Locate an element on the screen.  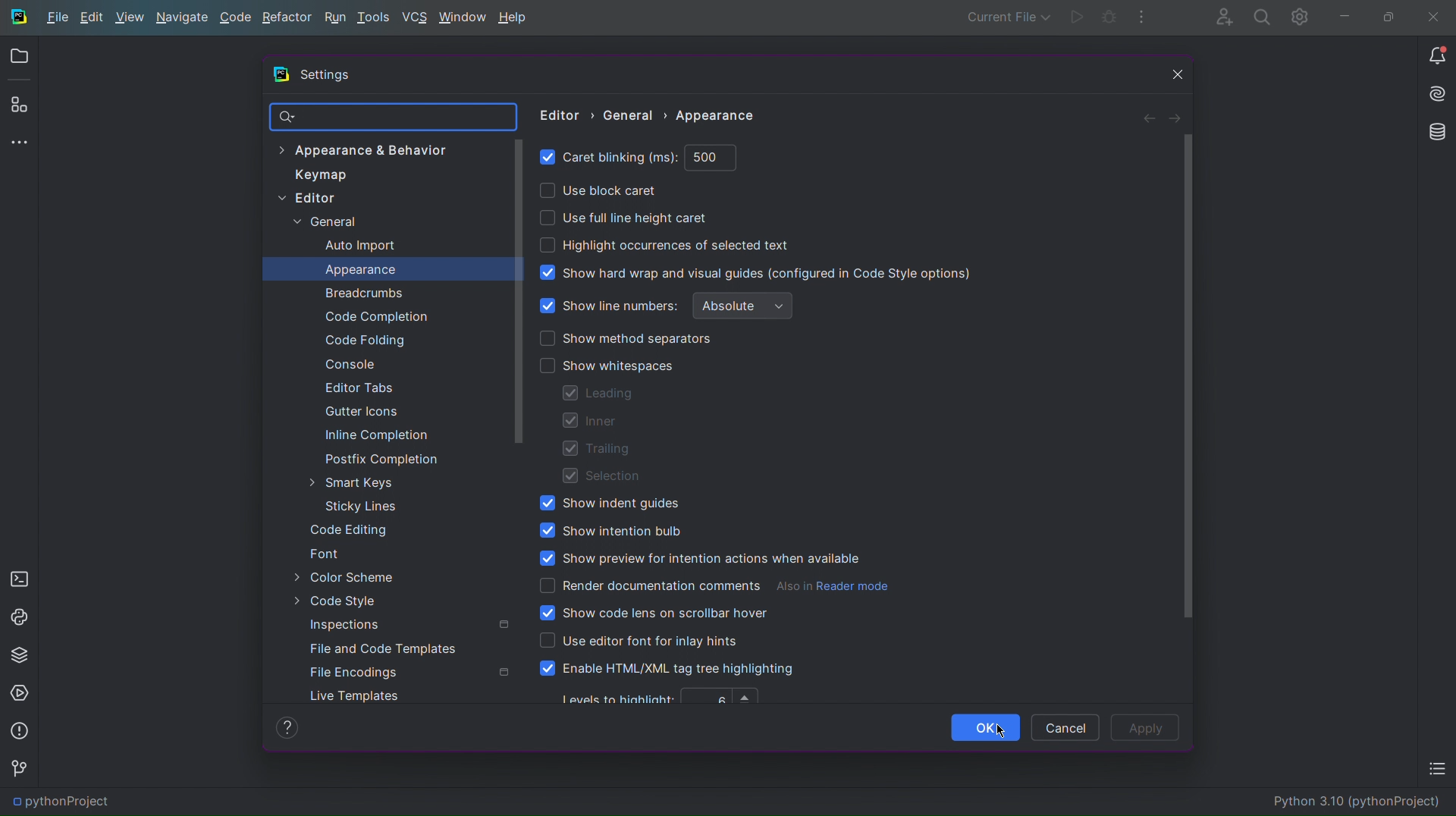
File Encodings is located at coordinates (356, 673).